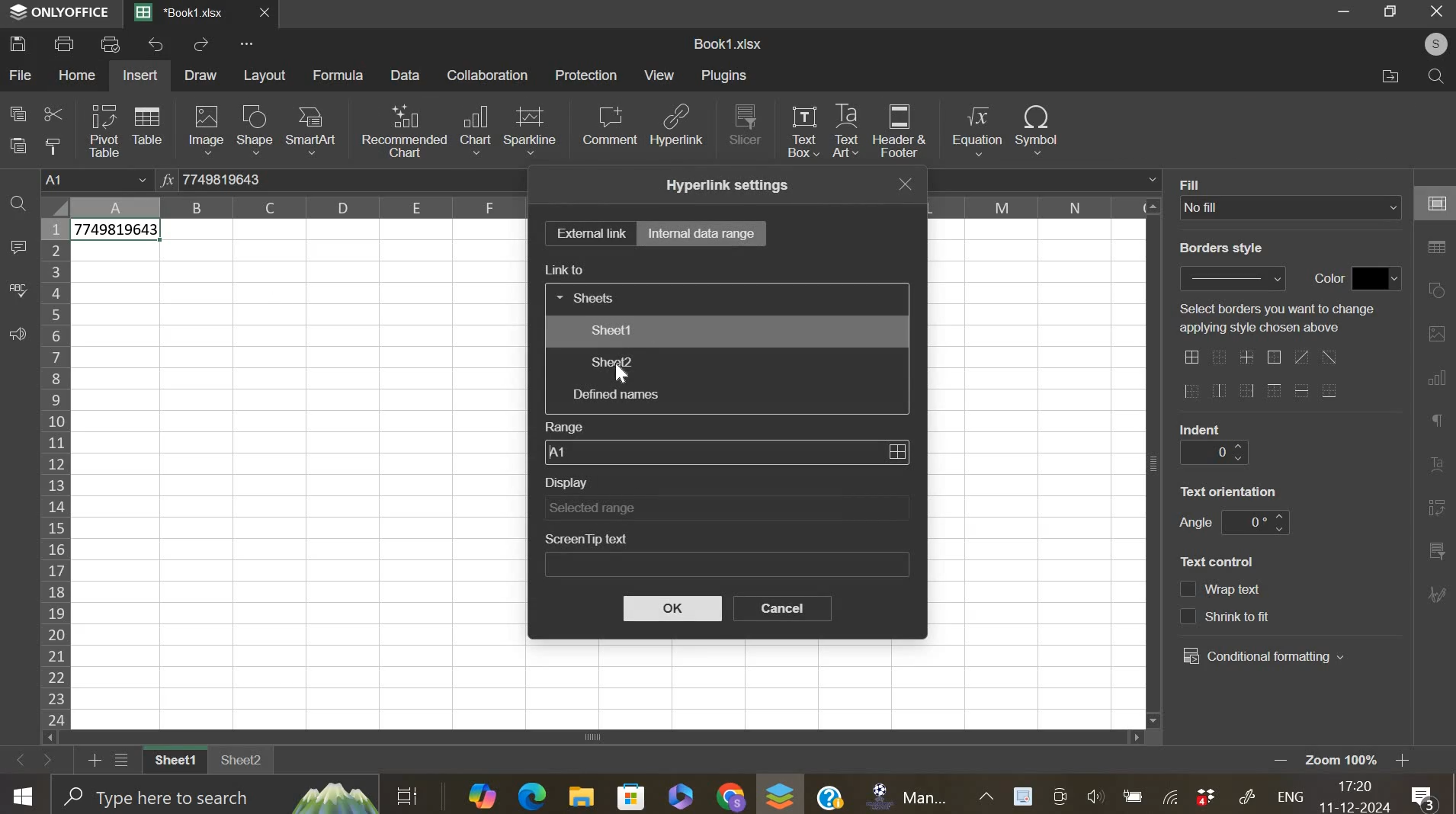 The height and width of the screenshot is (814, 1456). I want to click on cut, so click(53, 116).